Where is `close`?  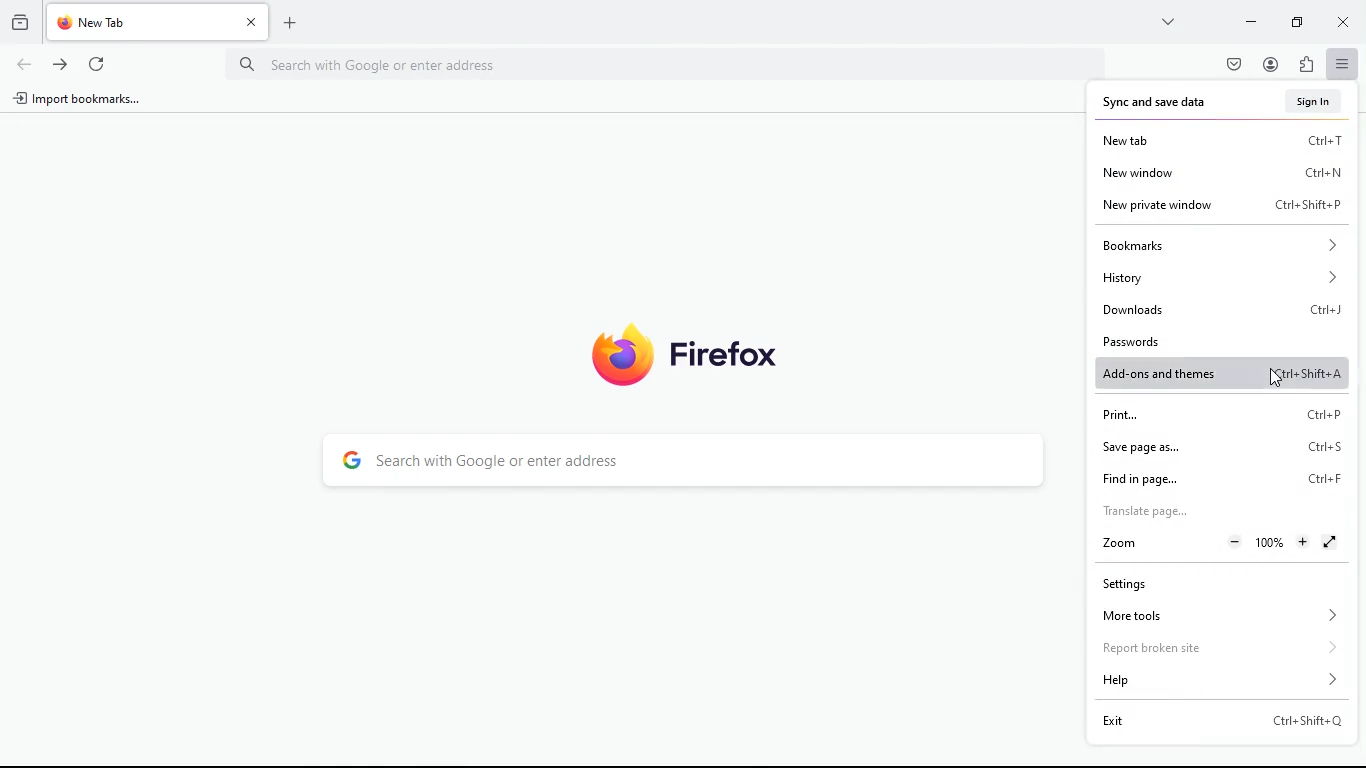 close is located at coordinates (251, 21).